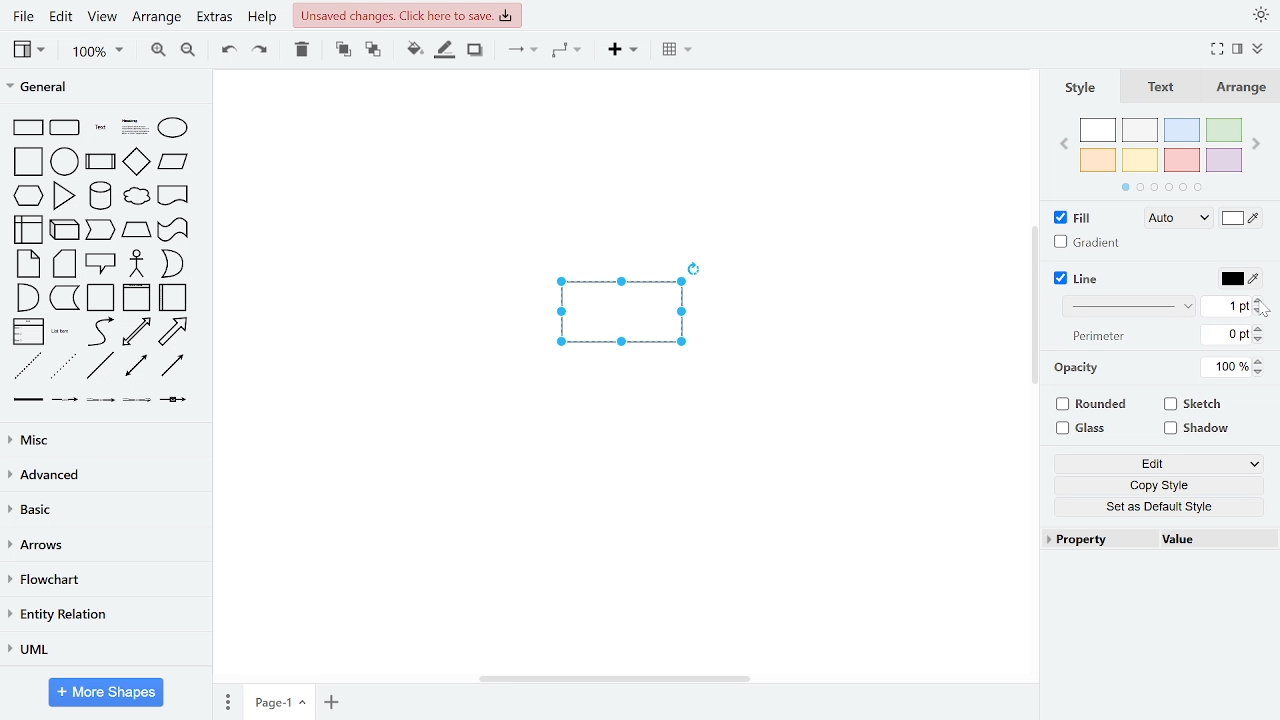 The width and height of the screenshot is (1280, 720). Describe the element at coordinates (27, 49) in the screenshot. I see `view` at that location.